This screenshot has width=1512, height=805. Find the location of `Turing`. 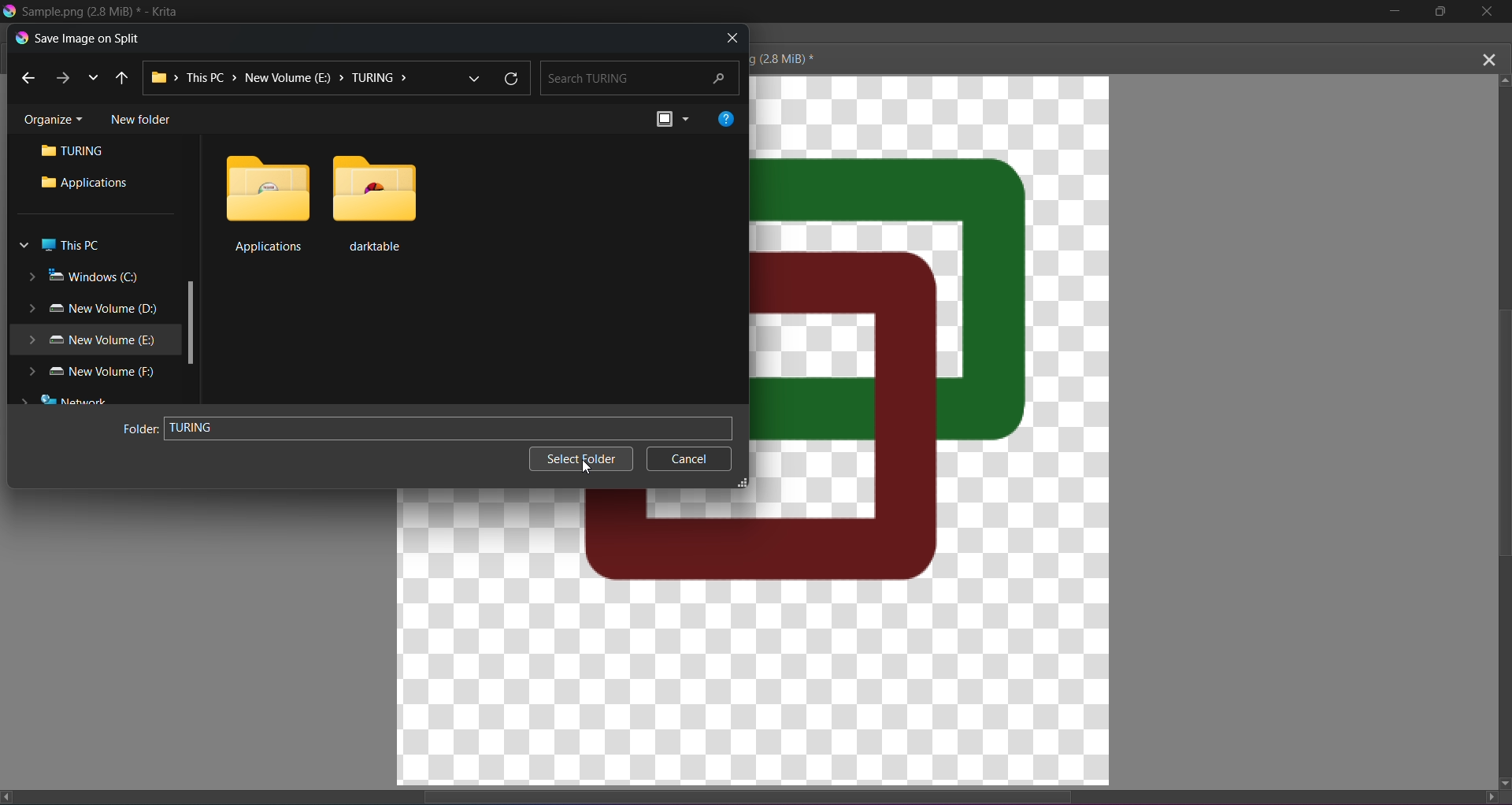

Turing is located at coordinates (448, 426).